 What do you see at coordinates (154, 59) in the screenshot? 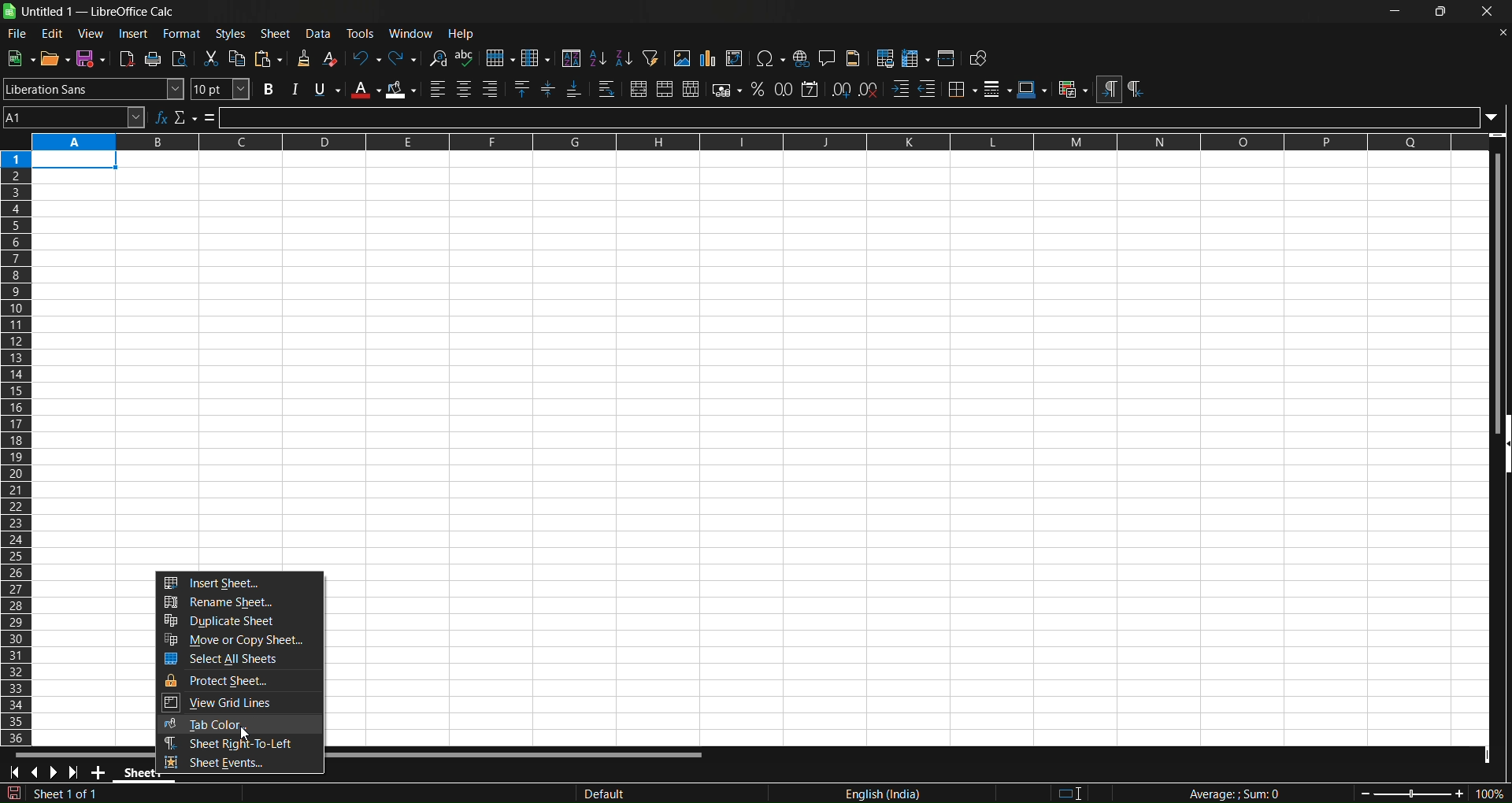
I see `print` at bounding box center [154, 59].